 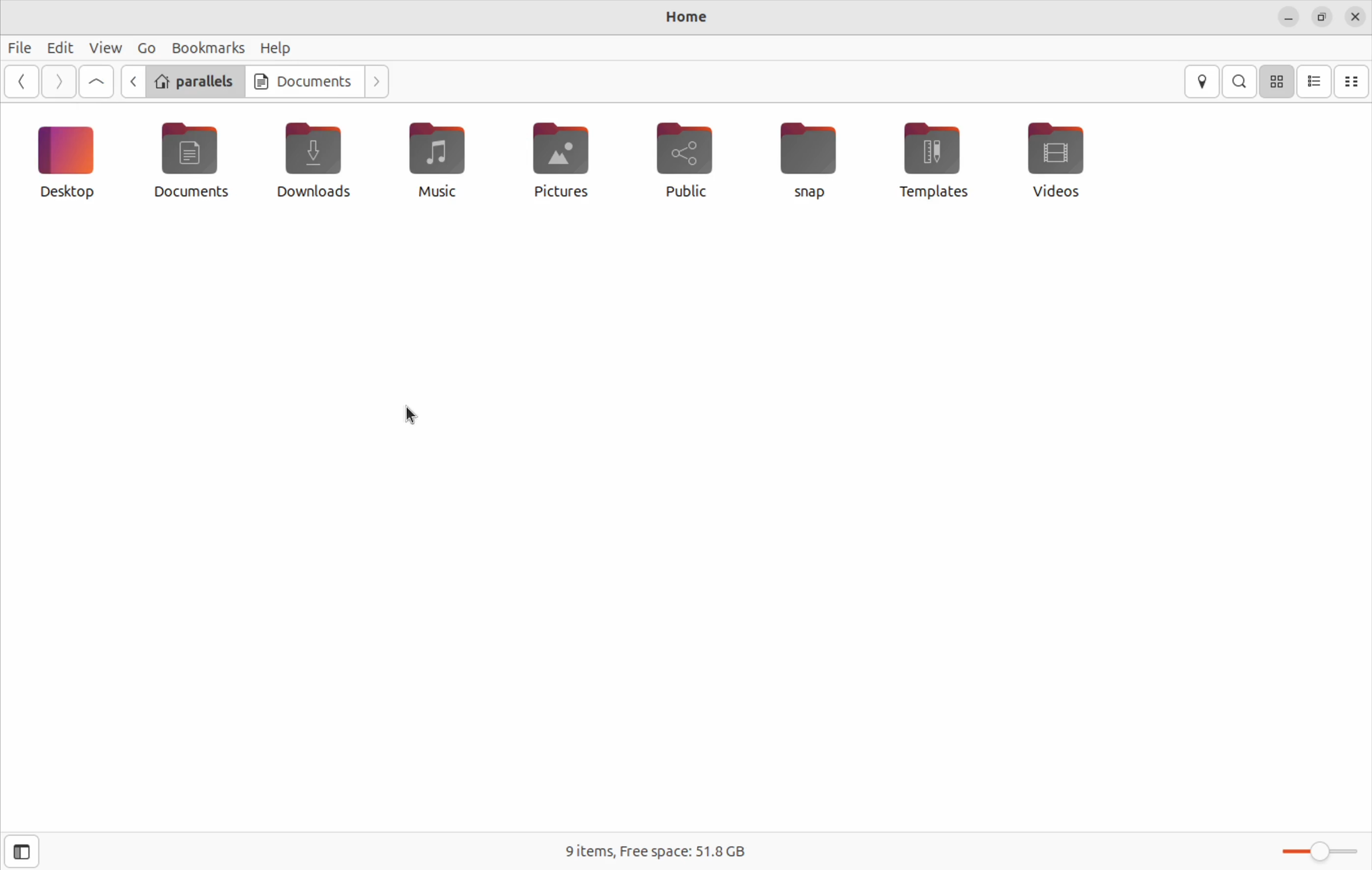 I want to click on cursor, so click(x=416, y=418).